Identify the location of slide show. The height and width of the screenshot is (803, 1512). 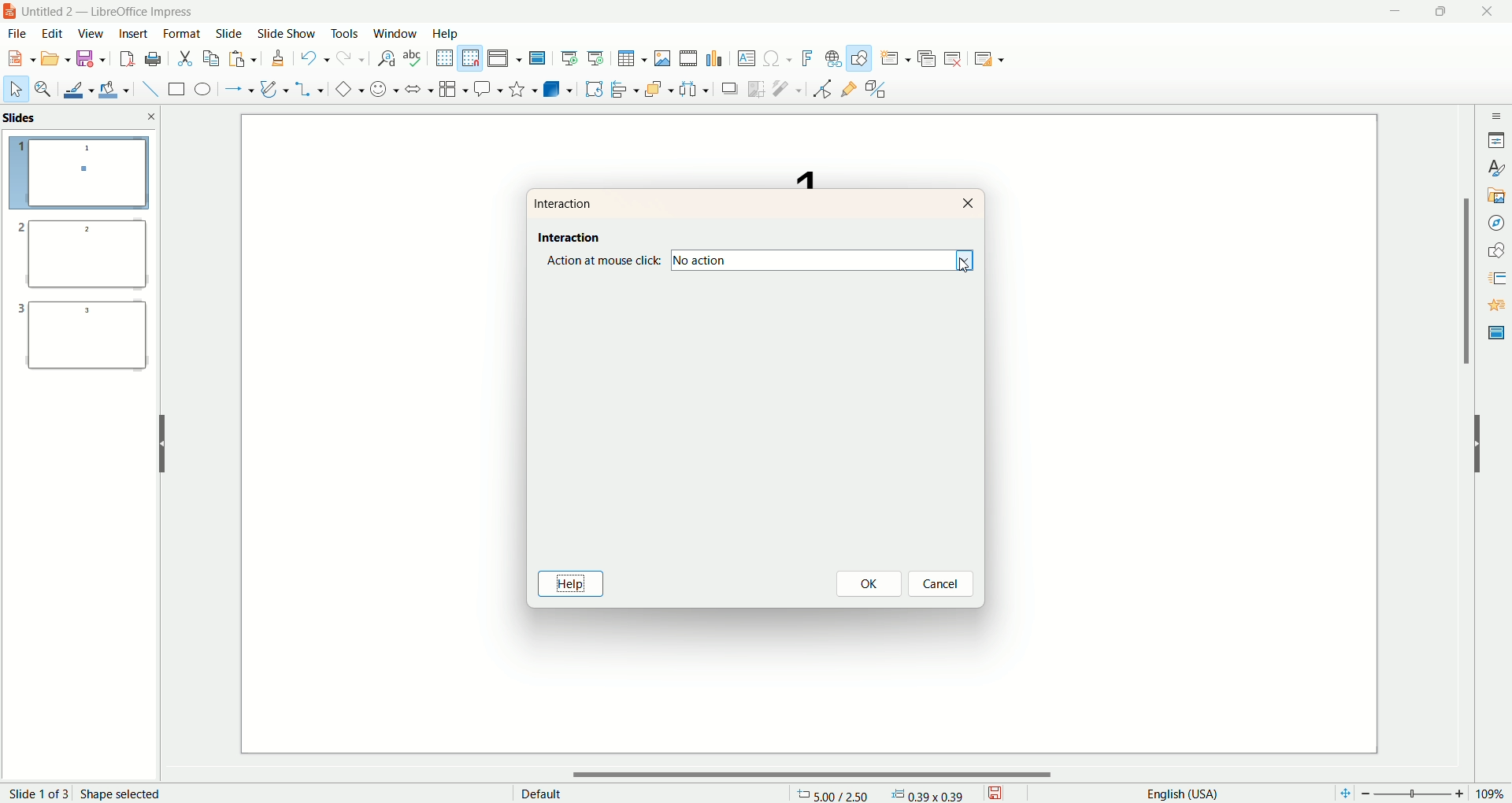
(289, 34).